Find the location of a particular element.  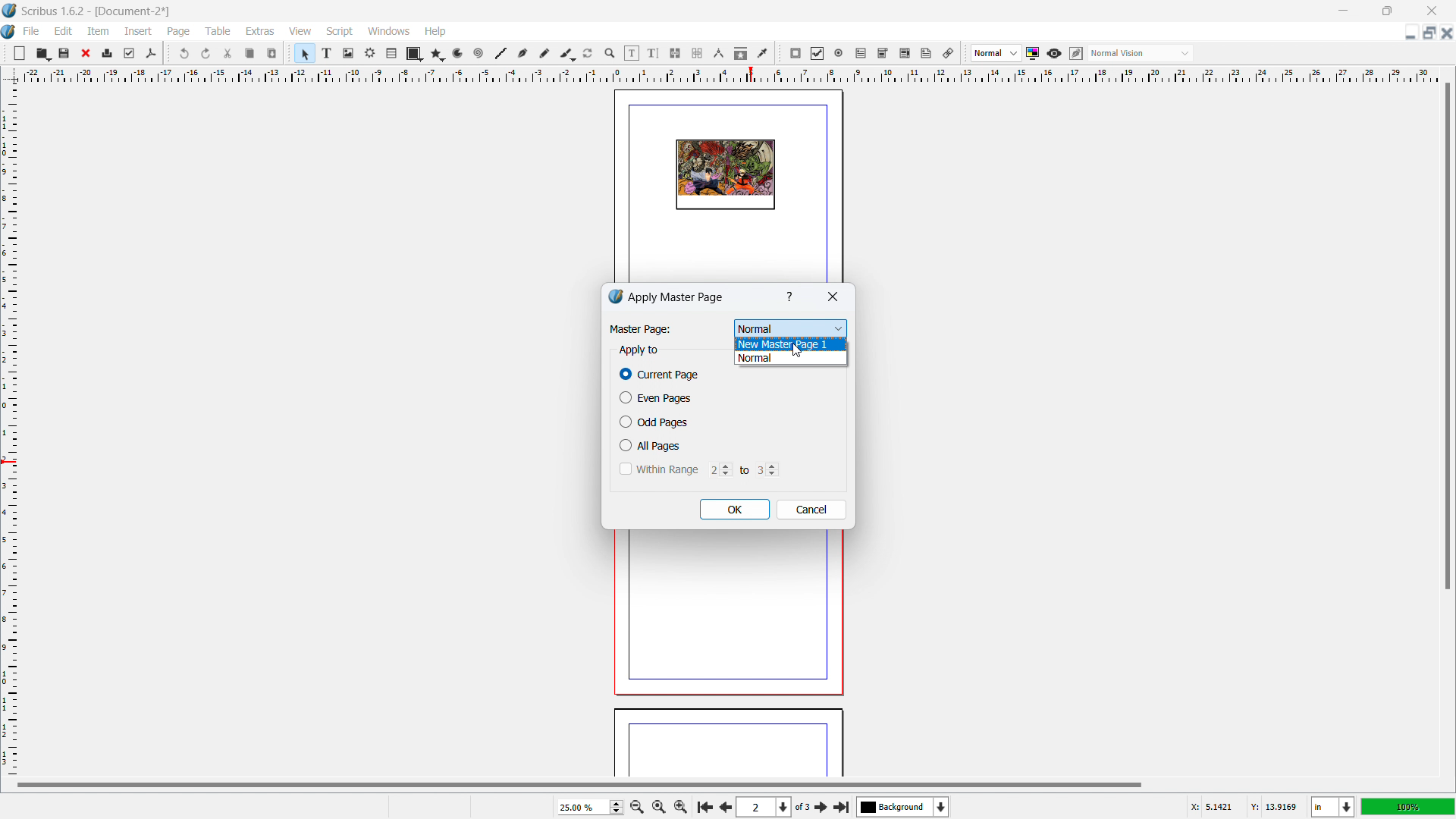

horizontal scrollbar is located at coordinates (579, 784).